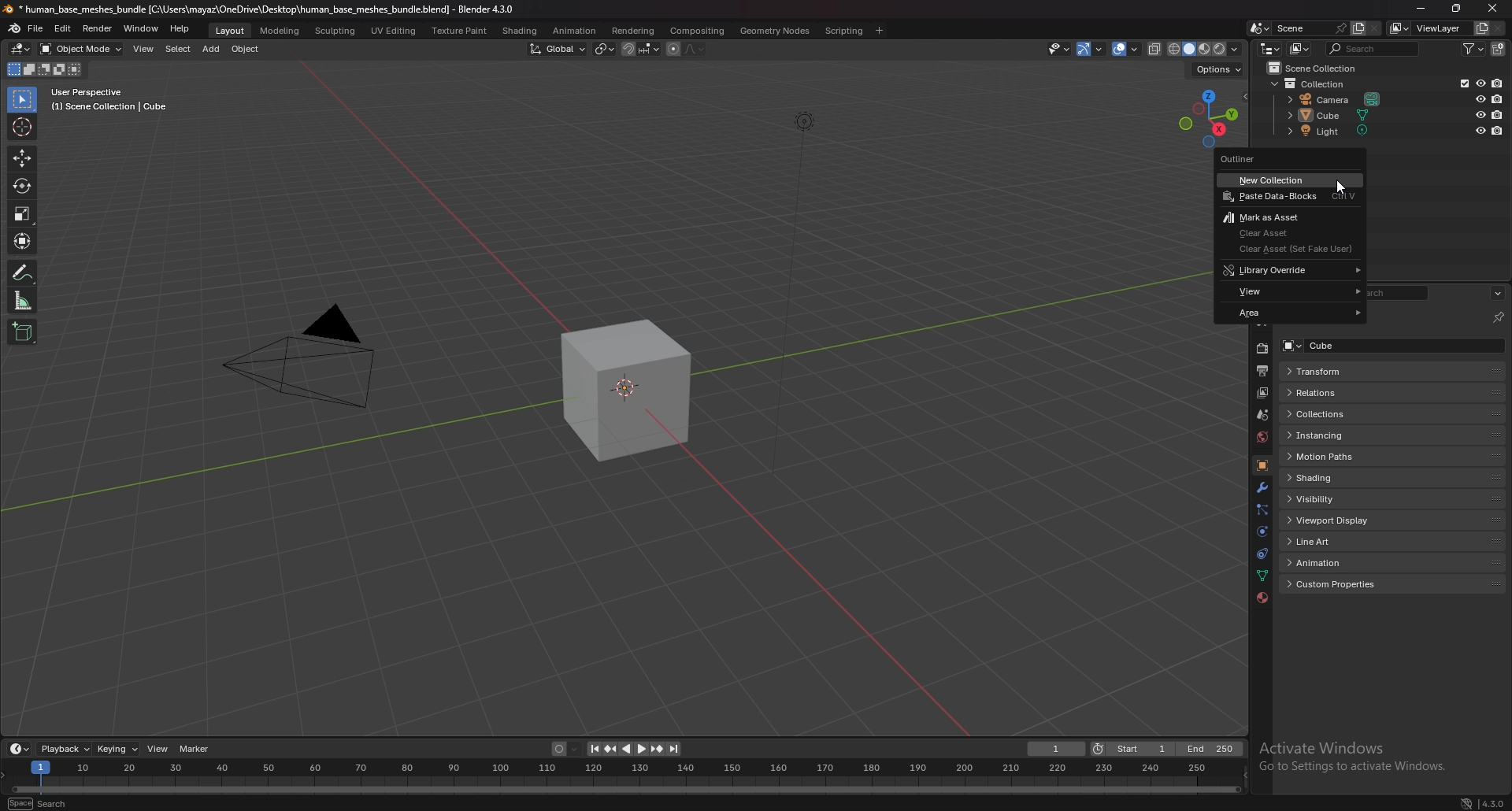 This screenshot has width=1512, height=811. I want to click on browse scene, so click(1260, 28).